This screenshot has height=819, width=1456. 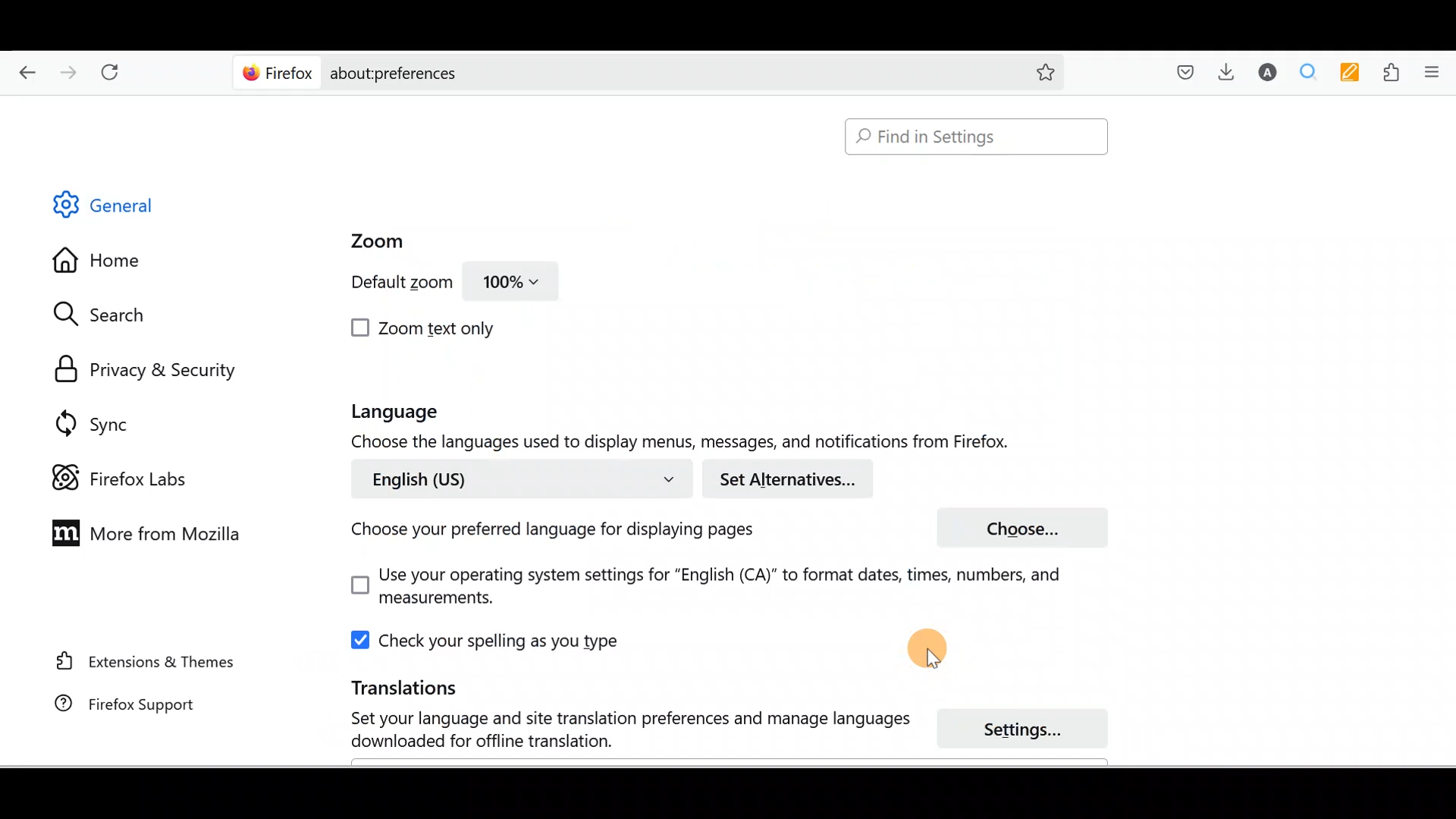 What do you see at coordinates (977, 136) in the screenshot?
I see `Find in Settings` at bounding box center [977, 136].